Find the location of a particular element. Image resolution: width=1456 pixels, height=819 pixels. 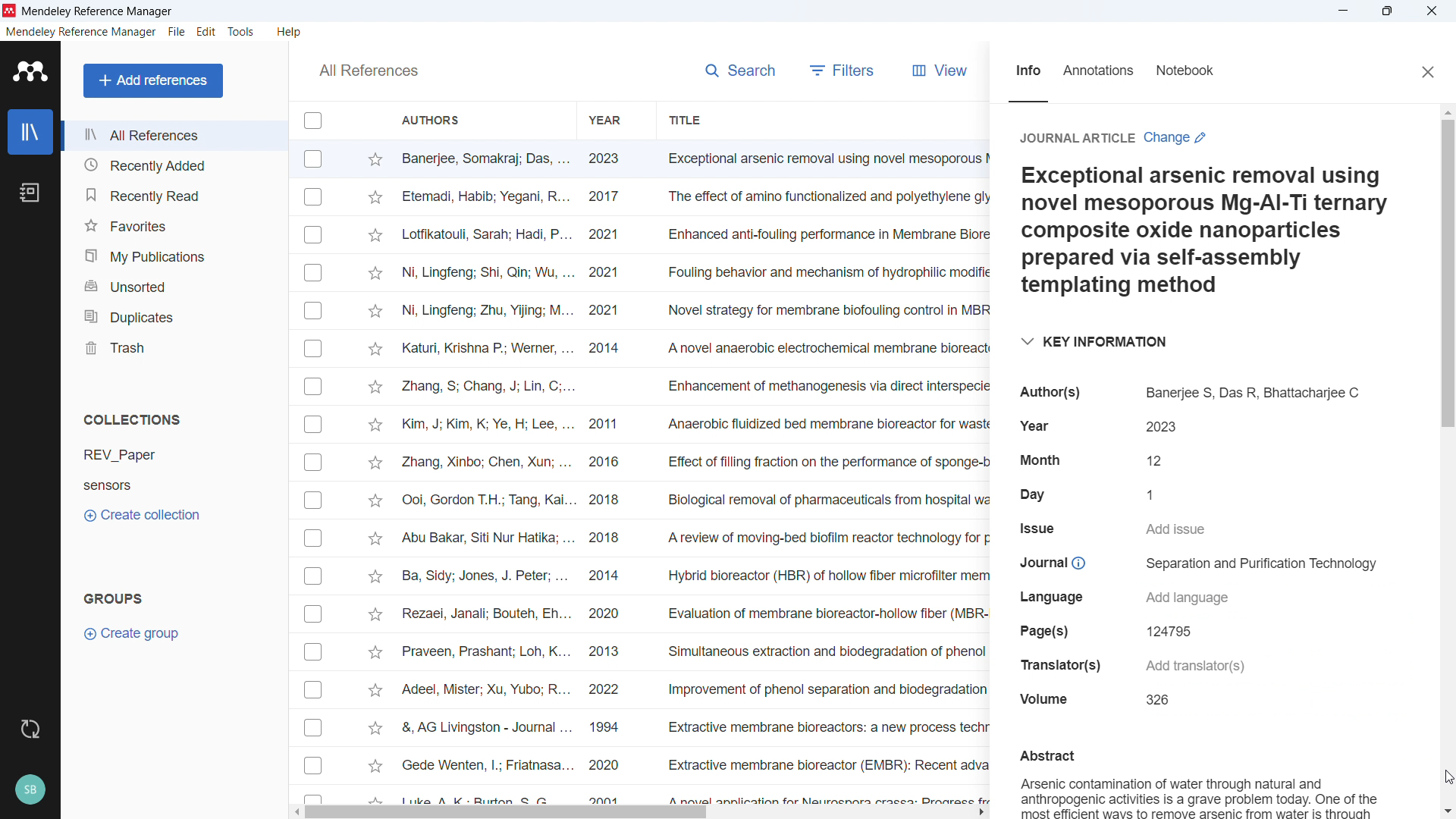

notebook is located at coordinates (1197, 72).